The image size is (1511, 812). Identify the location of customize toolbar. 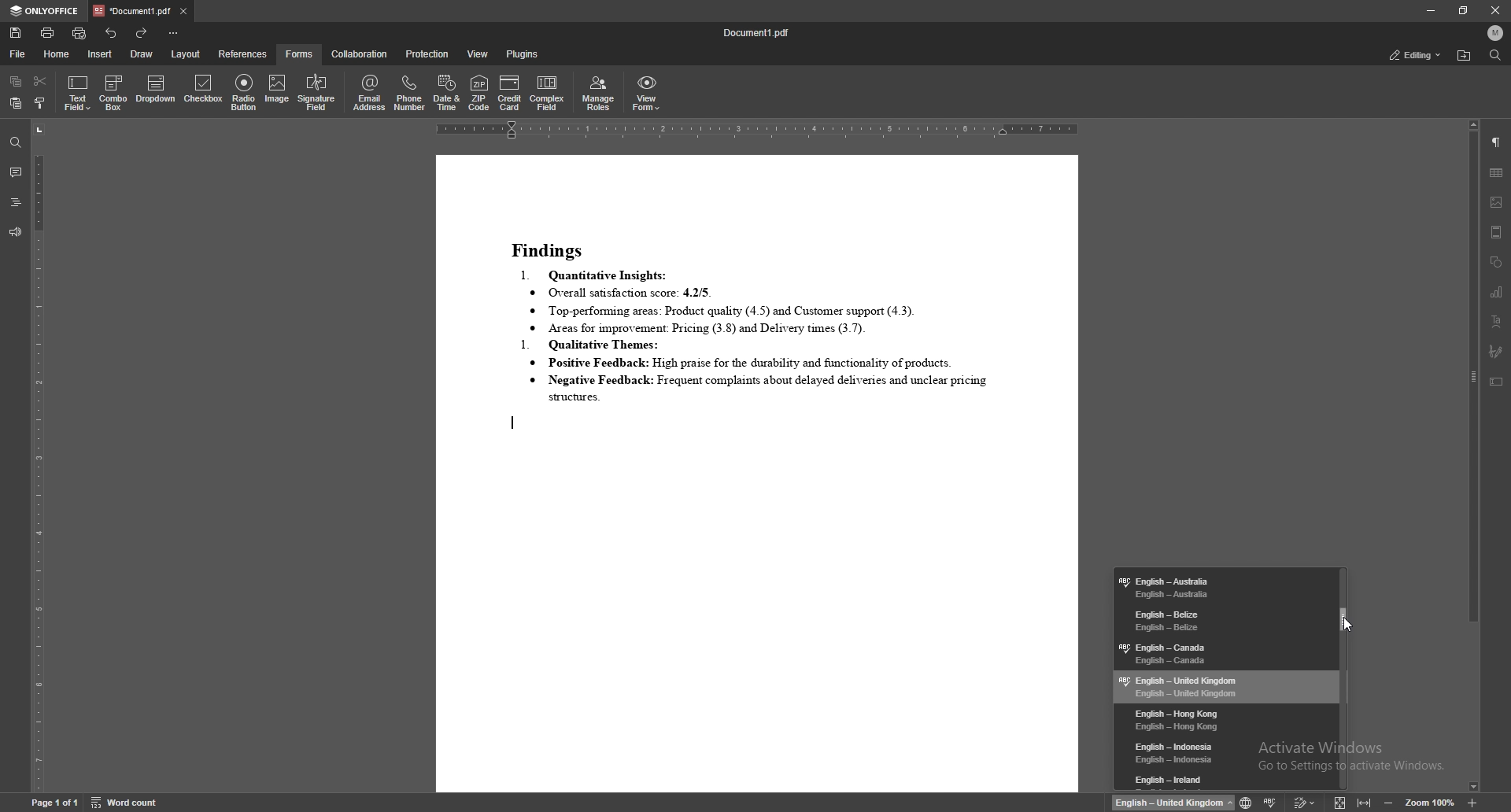
(174, 34).